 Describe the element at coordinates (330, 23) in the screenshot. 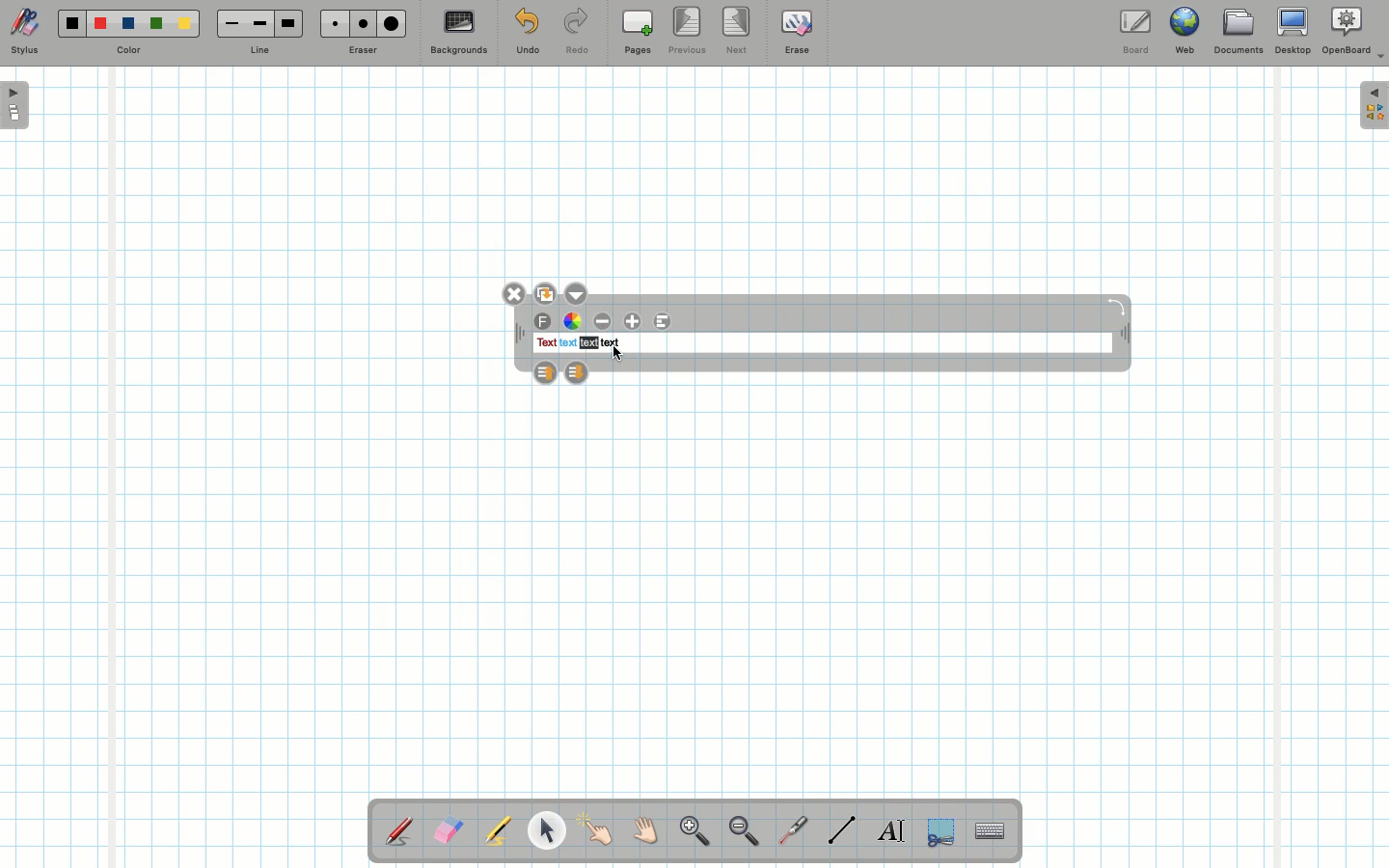

I see `Small eraser` at that location.